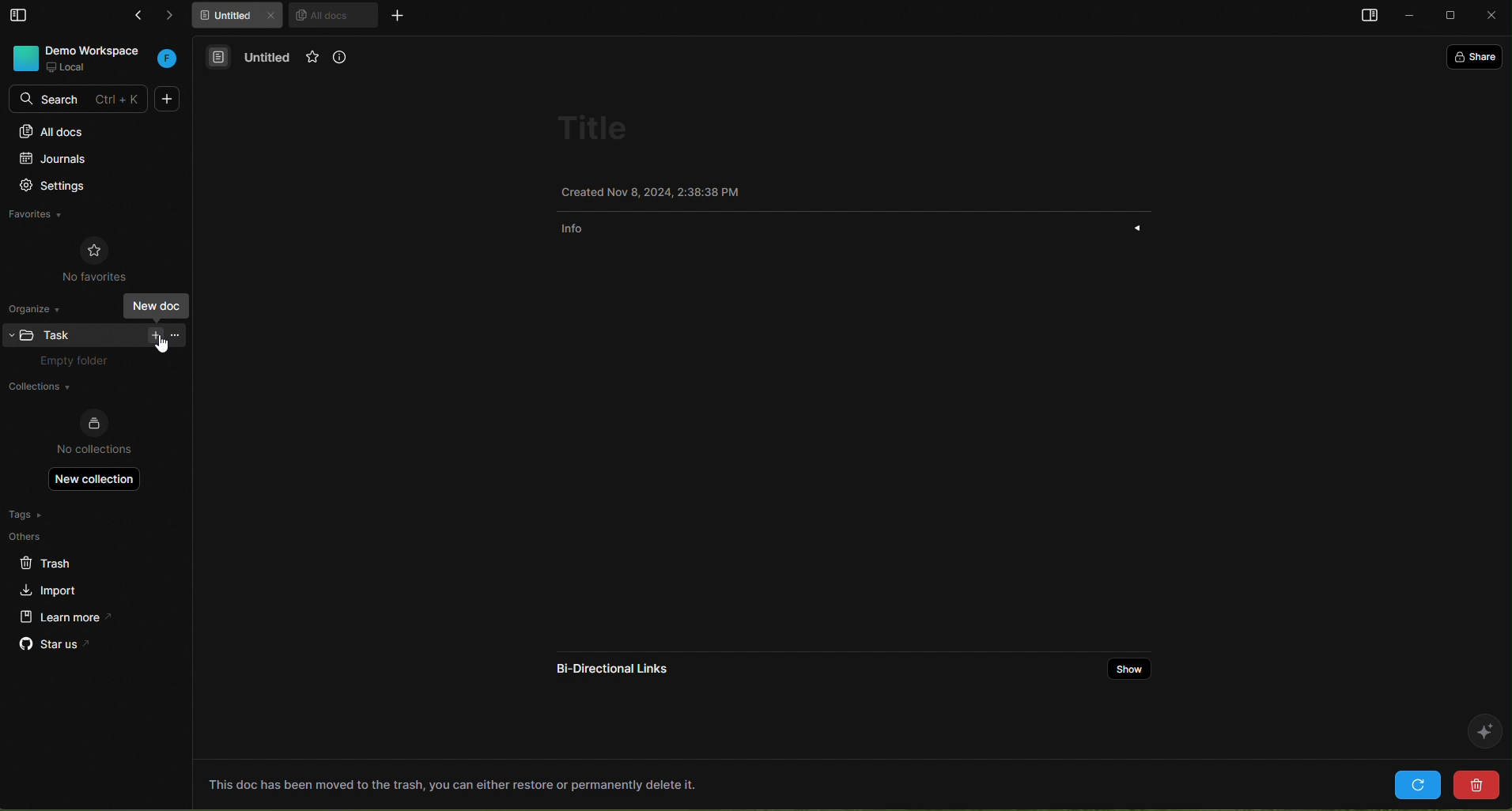 This screenshot has height=811, width=1512. Describe the element at coordinates (1453, 17) in the screenshot. I see `maximize` at that location.